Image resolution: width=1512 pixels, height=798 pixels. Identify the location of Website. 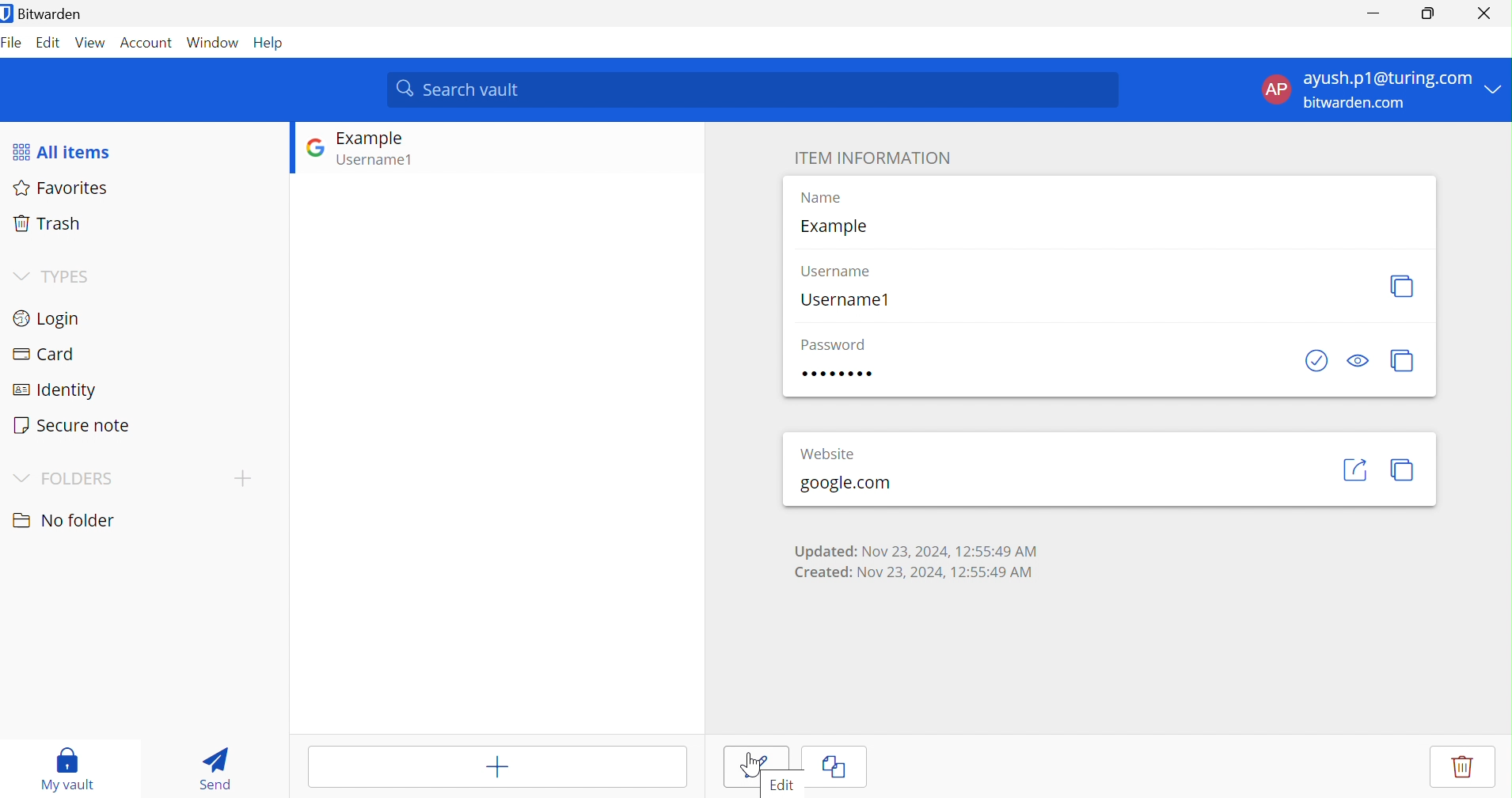
(827, 452).